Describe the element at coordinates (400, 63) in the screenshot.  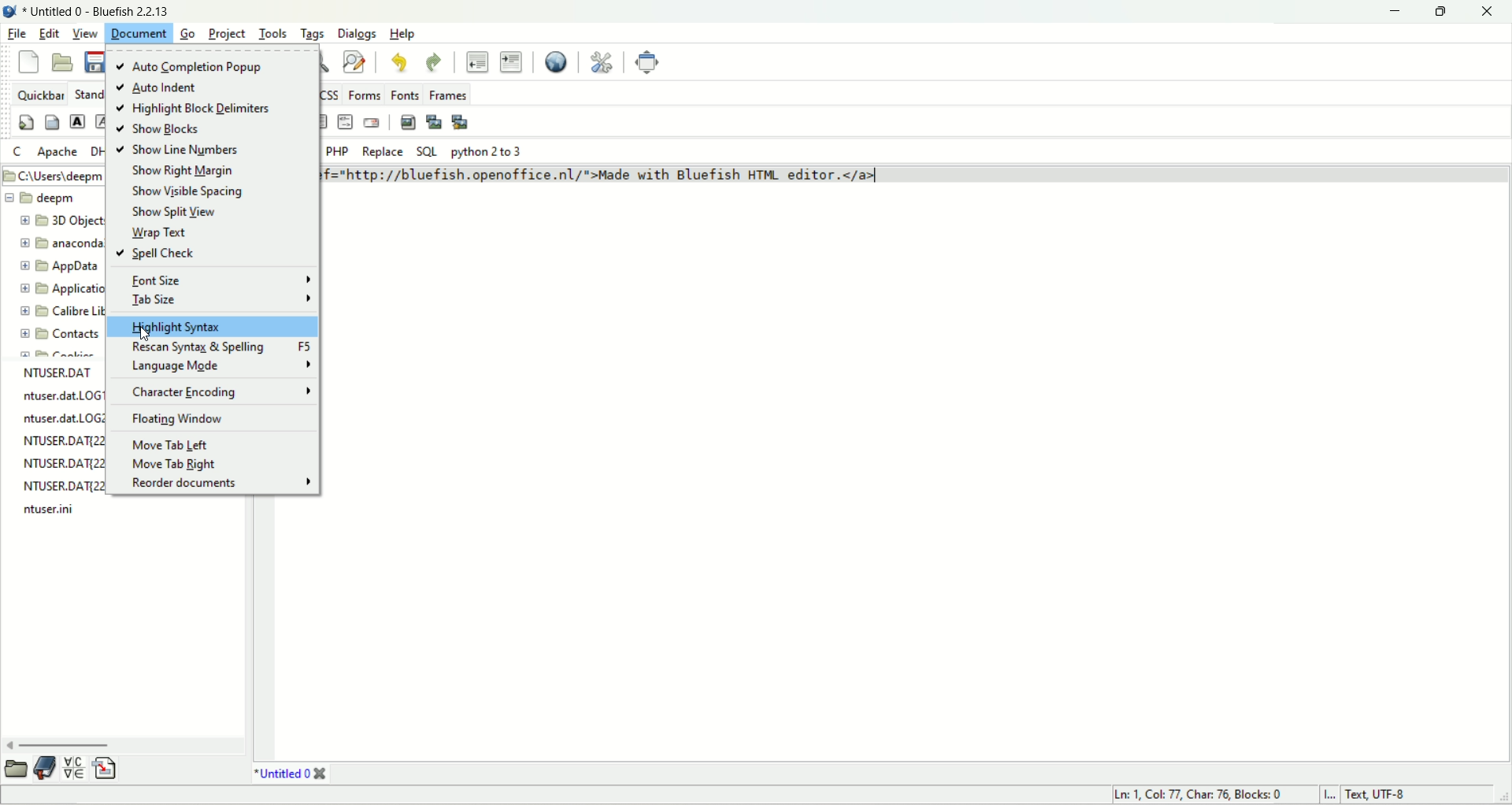
I see `undo` at that location.